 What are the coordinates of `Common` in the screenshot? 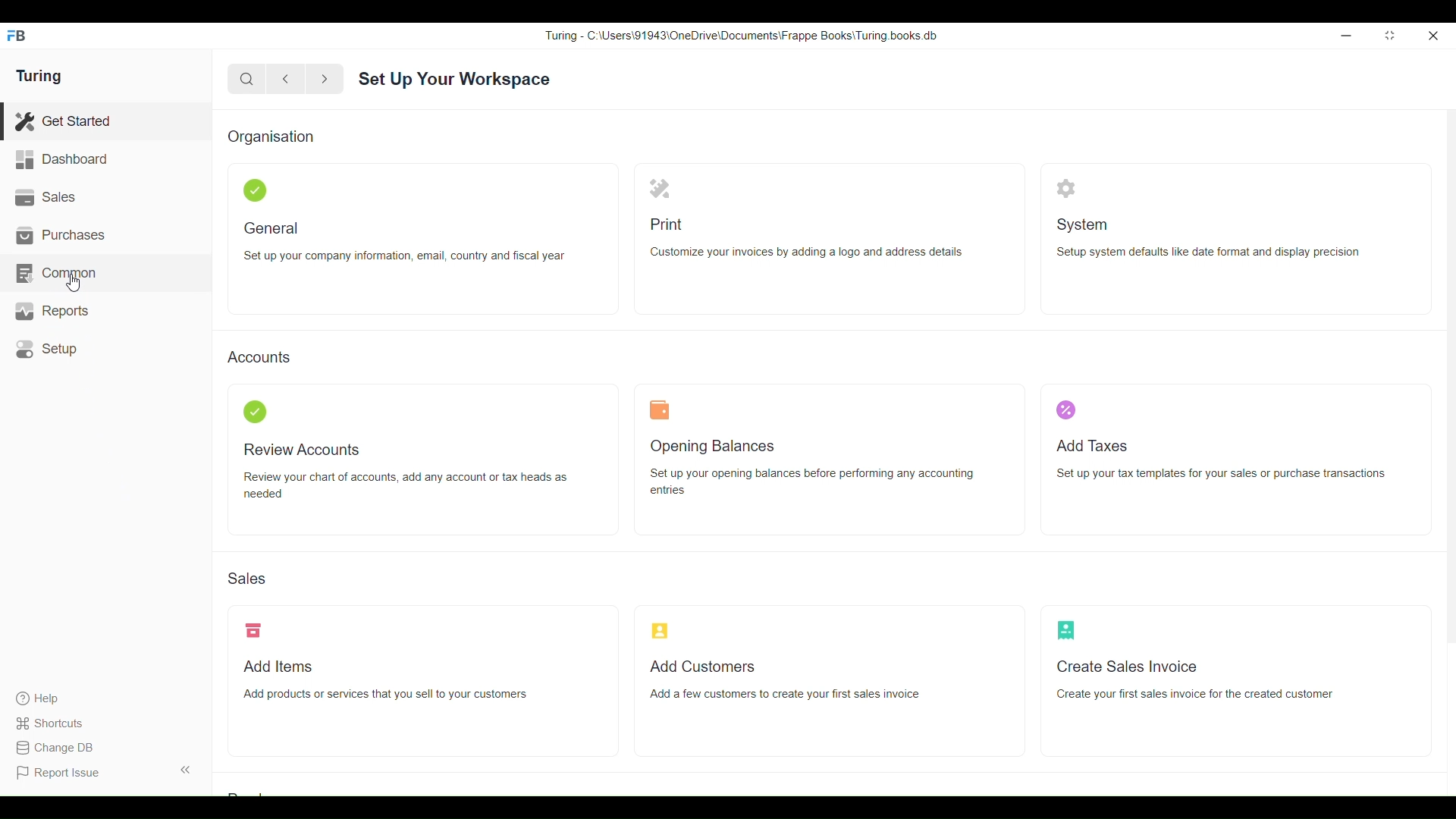 It's located at (106, 273).